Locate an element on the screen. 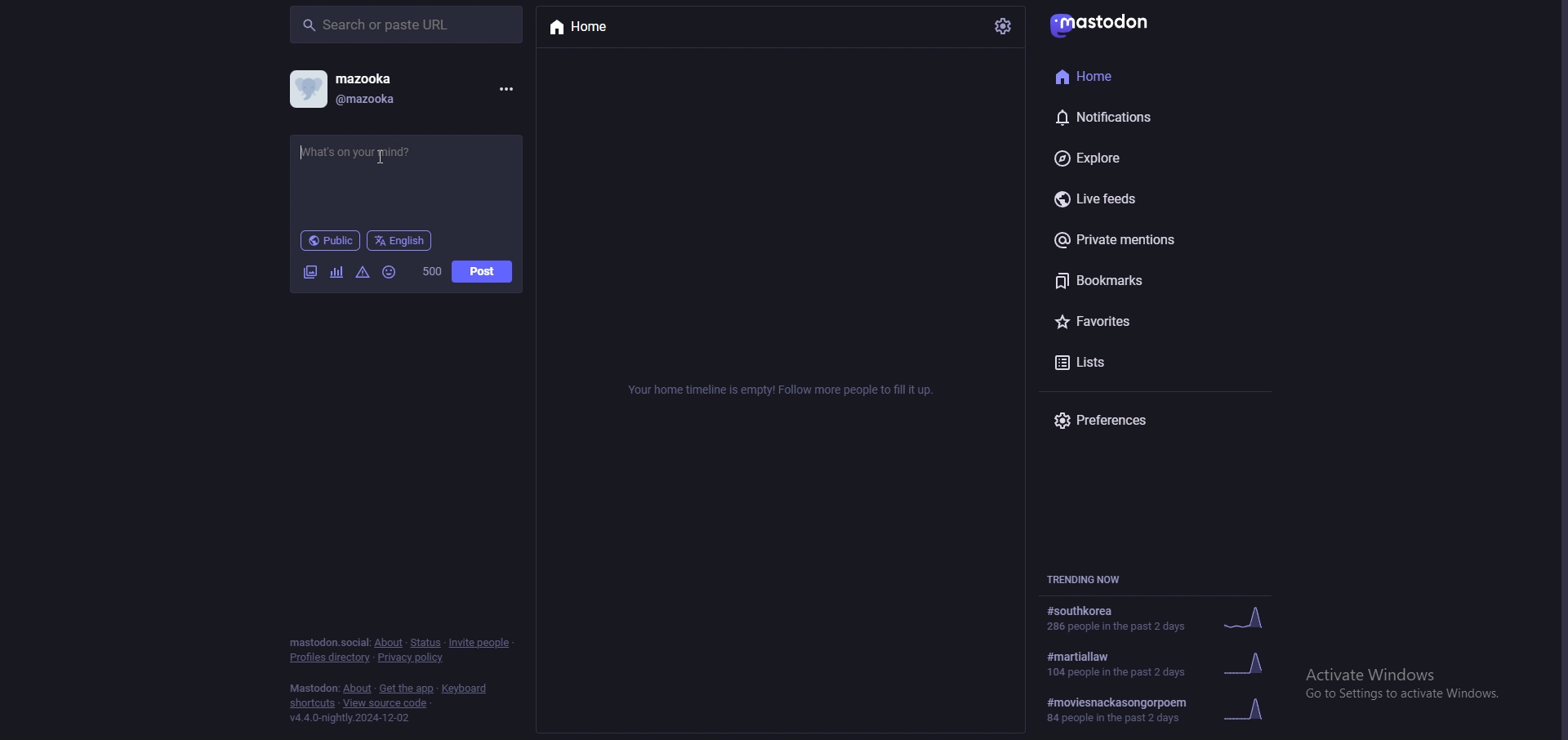  home is located at coordinates (598, 29).